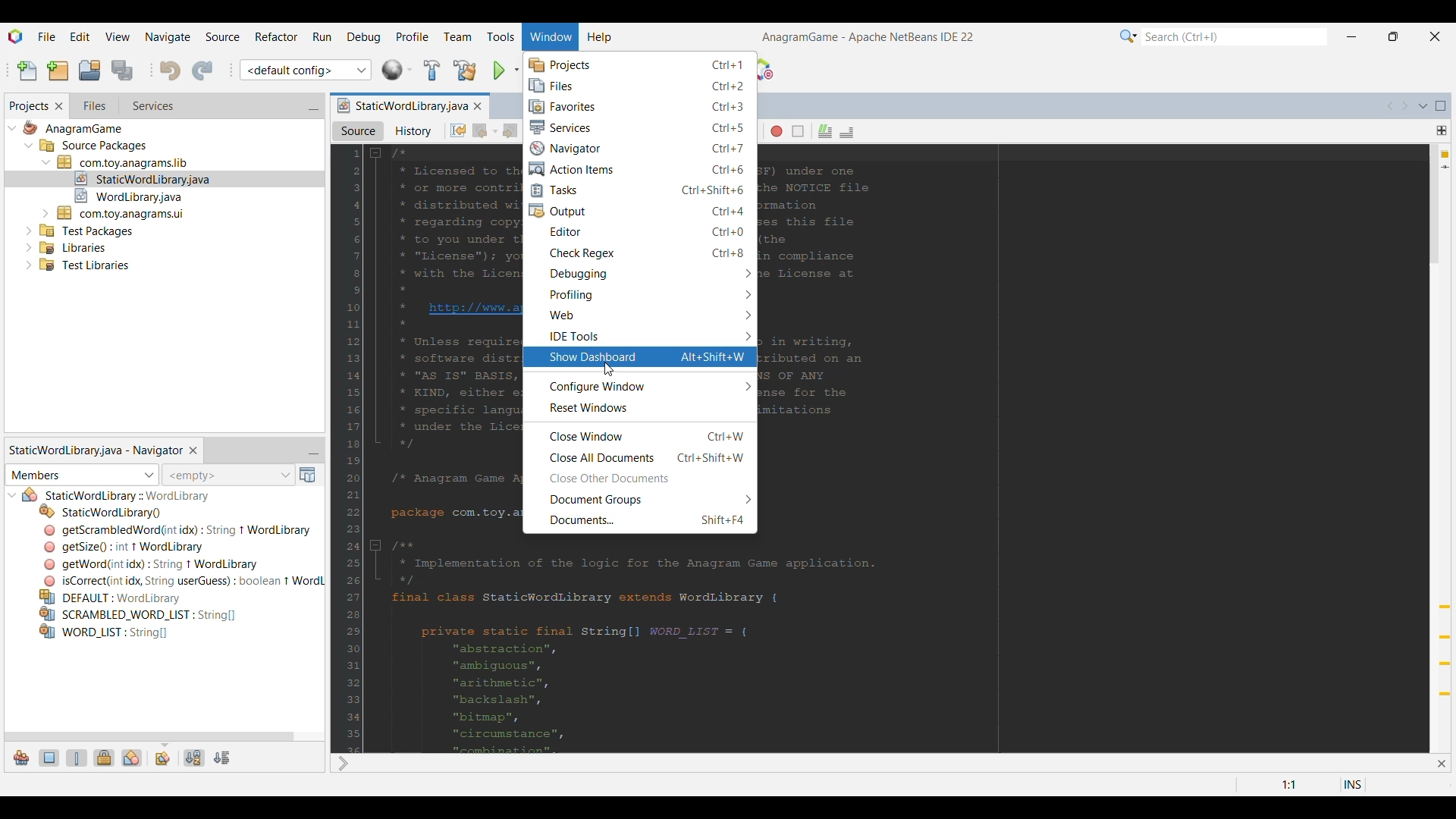 The image size is (1456, 819). Describe the element at coordinates (276, 36) in the screenshot. I see `Refactor menu` at that location.